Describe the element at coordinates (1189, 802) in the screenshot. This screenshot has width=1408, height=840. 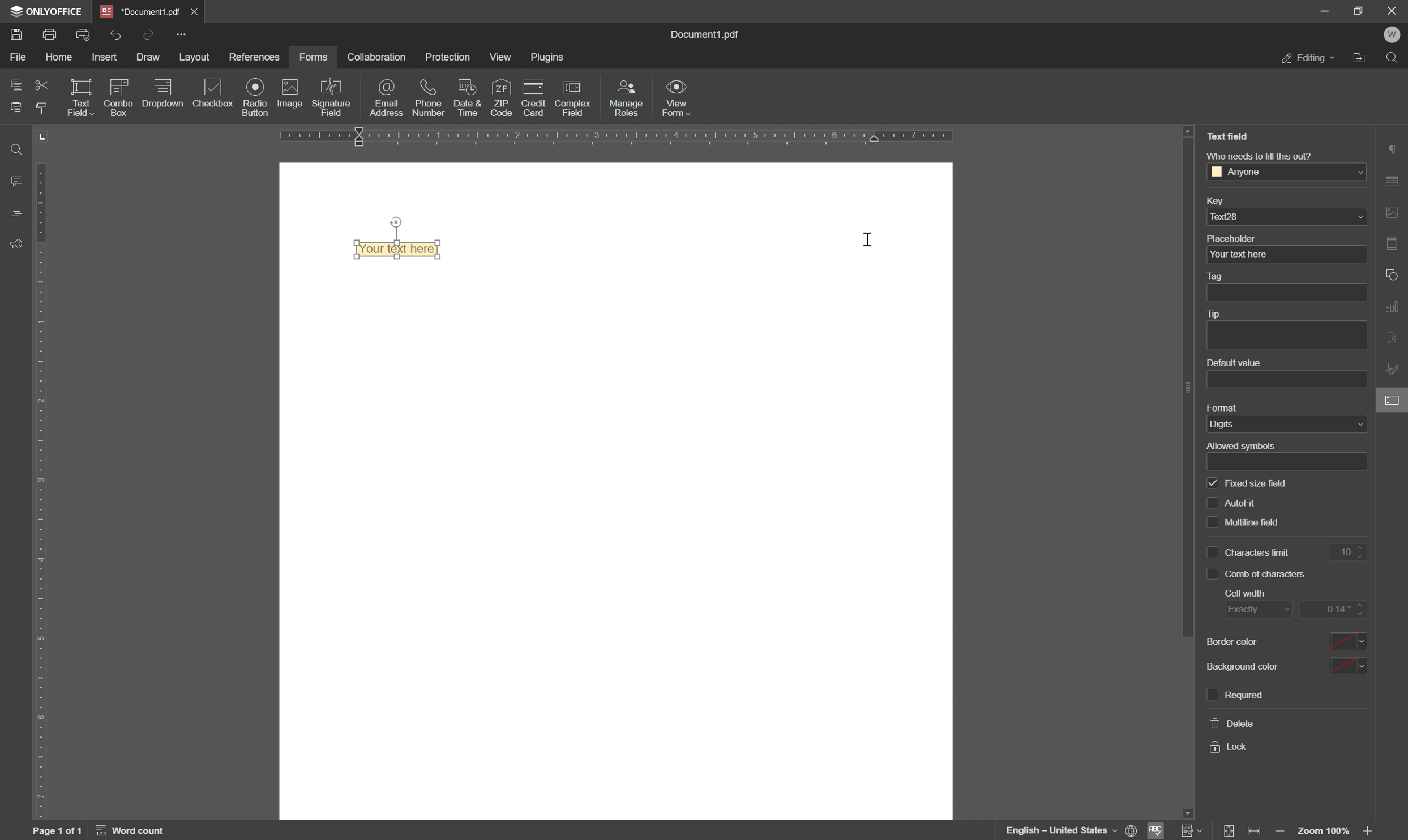
I see `scroll down` at that location.